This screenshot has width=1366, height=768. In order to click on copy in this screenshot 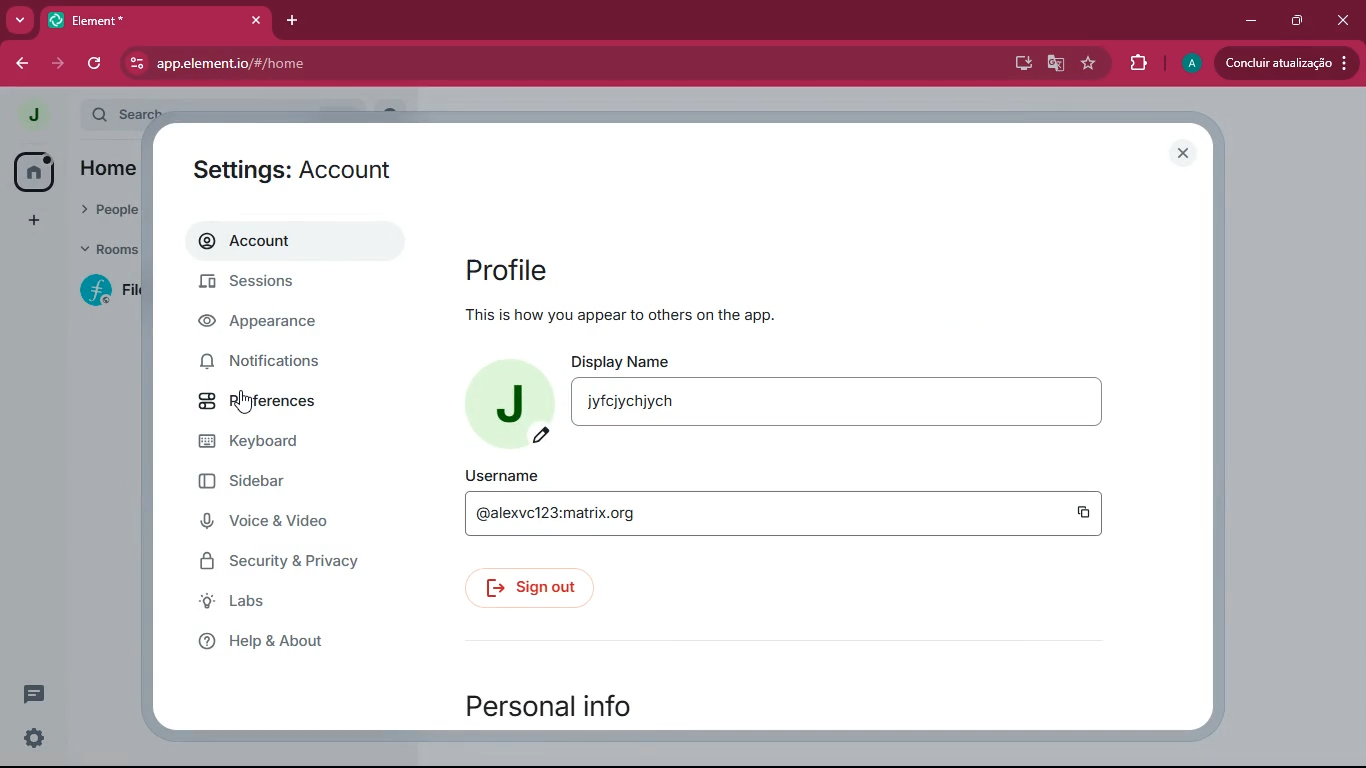, I will do `click(1087, 514)`.